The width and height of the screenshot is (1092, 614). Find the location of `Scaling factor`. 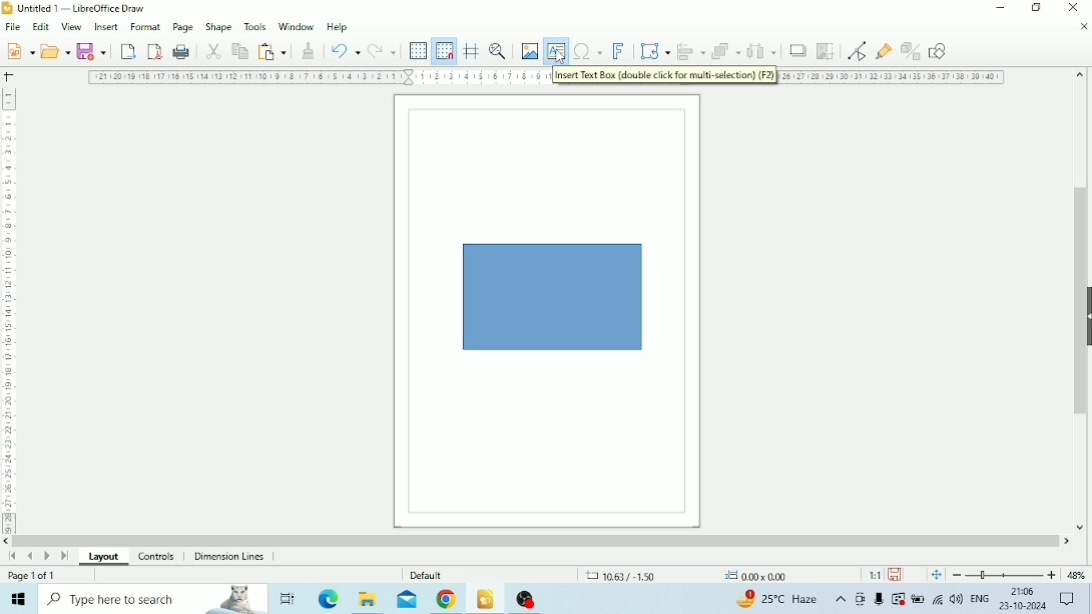

Scaling factor is located at coordinates (873, 574).